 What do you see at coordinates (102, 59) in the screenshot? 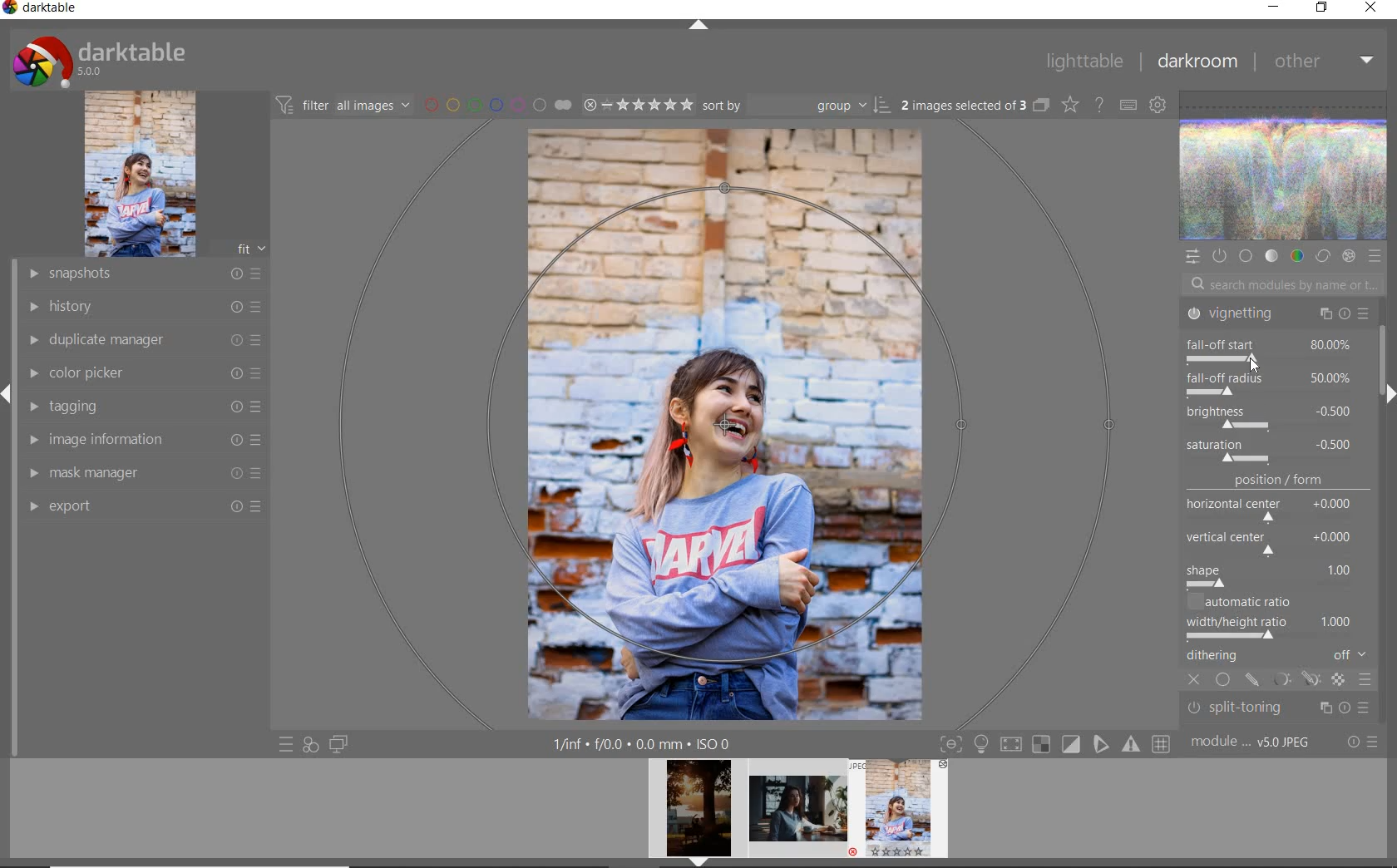
I see `system logo and name` at bounding box center [102, 59].